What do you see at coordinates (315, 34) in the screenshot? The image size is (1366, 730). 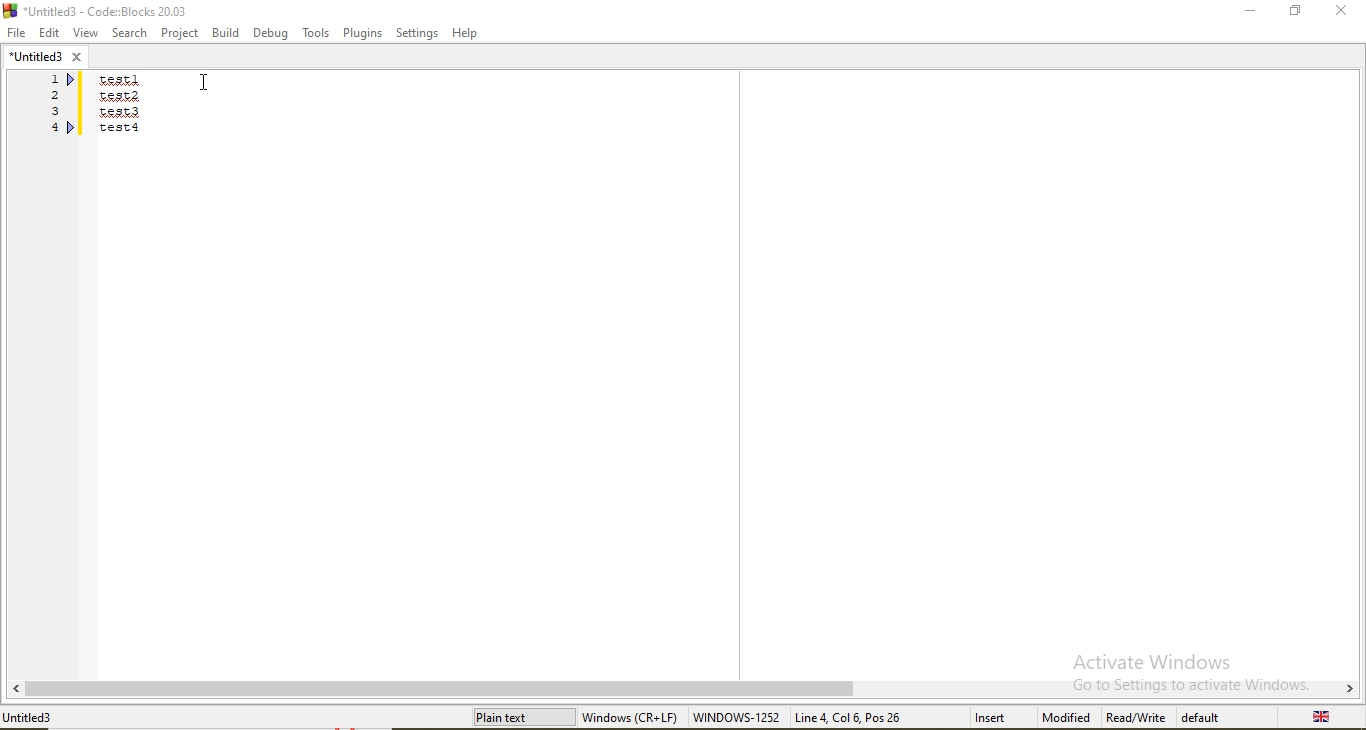 I see `Tools ` at bounding box center [315, 34].